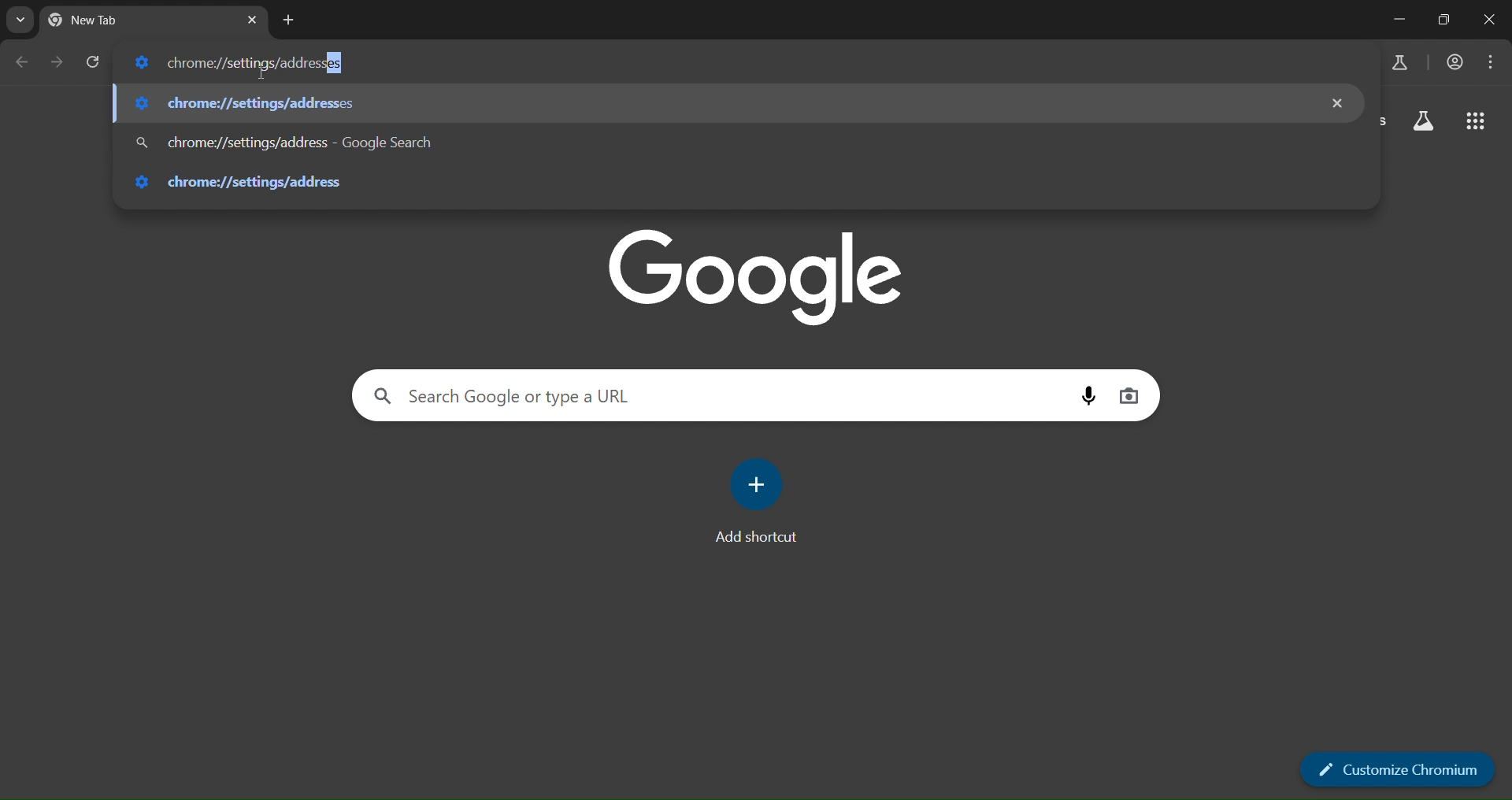 This screenshot has height=800, width=1512. I want to click on search panel, so click(1398, 64).